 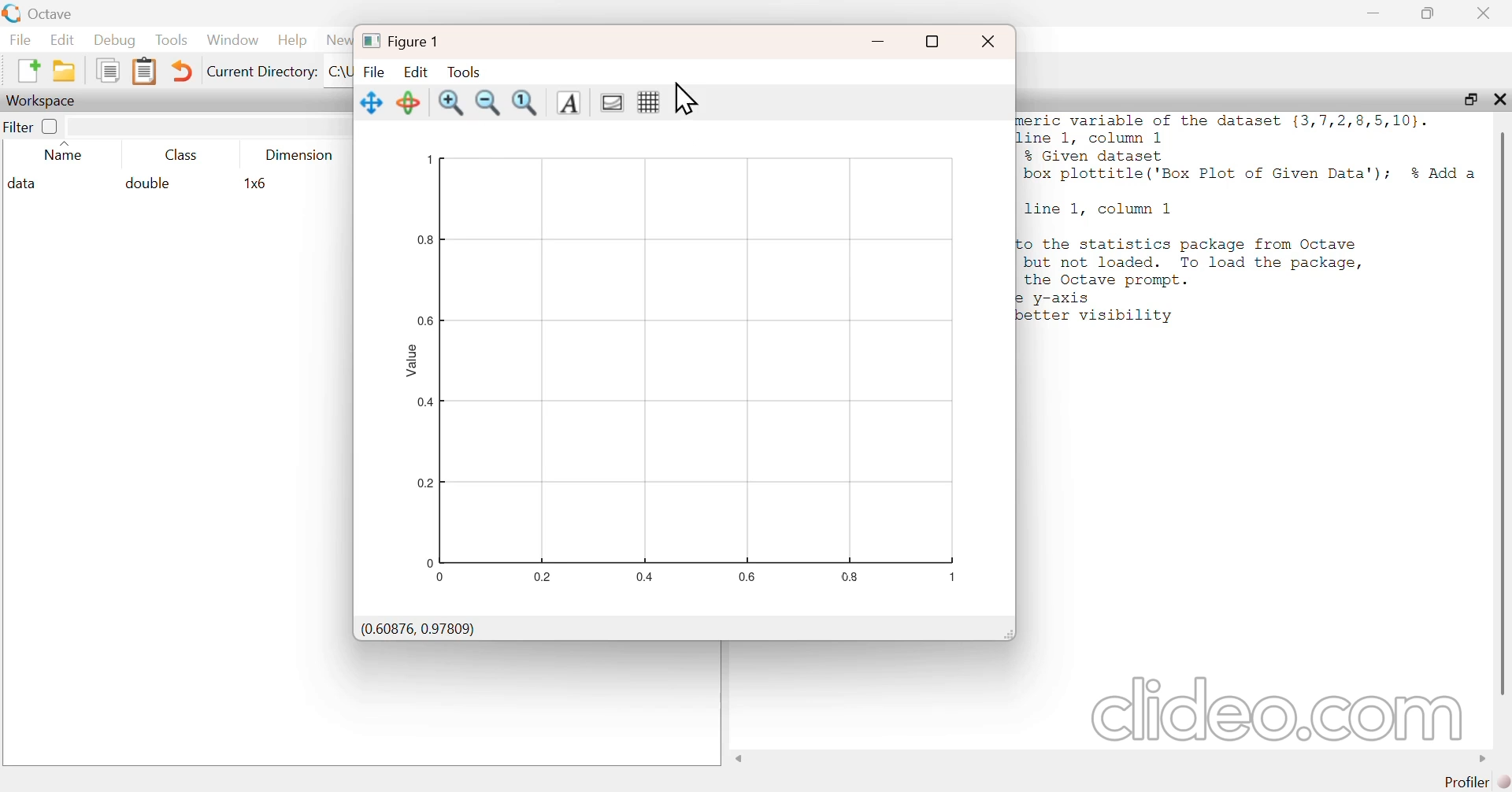 I want to click on Octave, so click(x=54, y=12).